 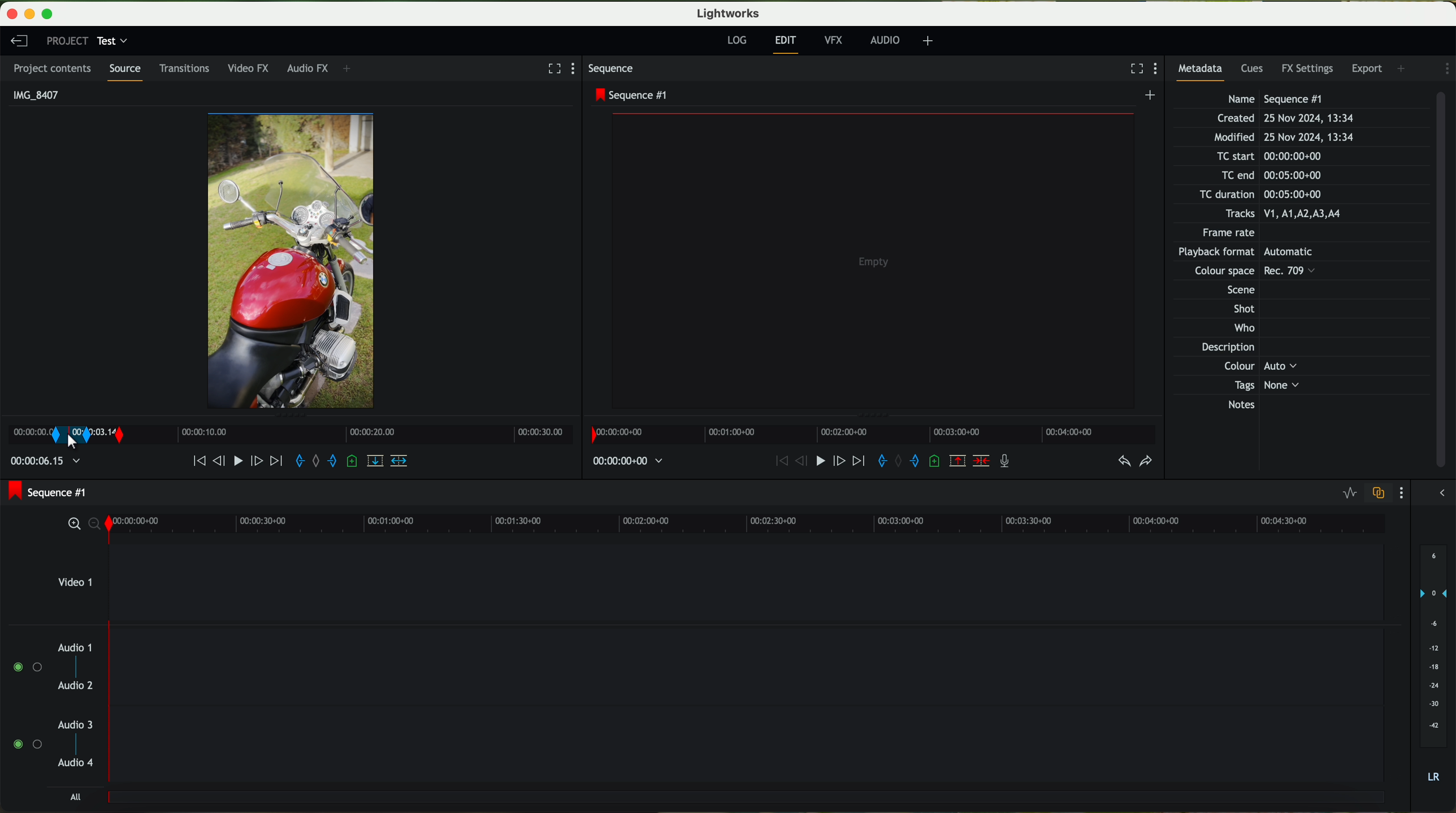 What do you see at coordinates (33, 94) in the screenshot?
I see `IMG_8407` at bounding box center [33, 94].